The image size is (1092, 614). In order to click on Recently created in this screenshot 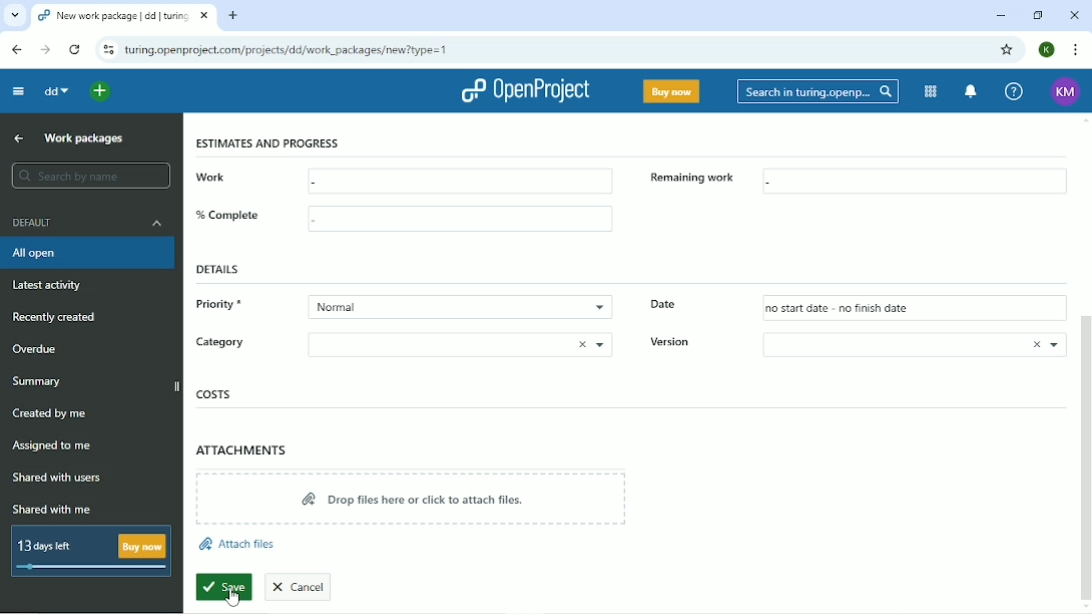, I will do `click(56, 317)`.